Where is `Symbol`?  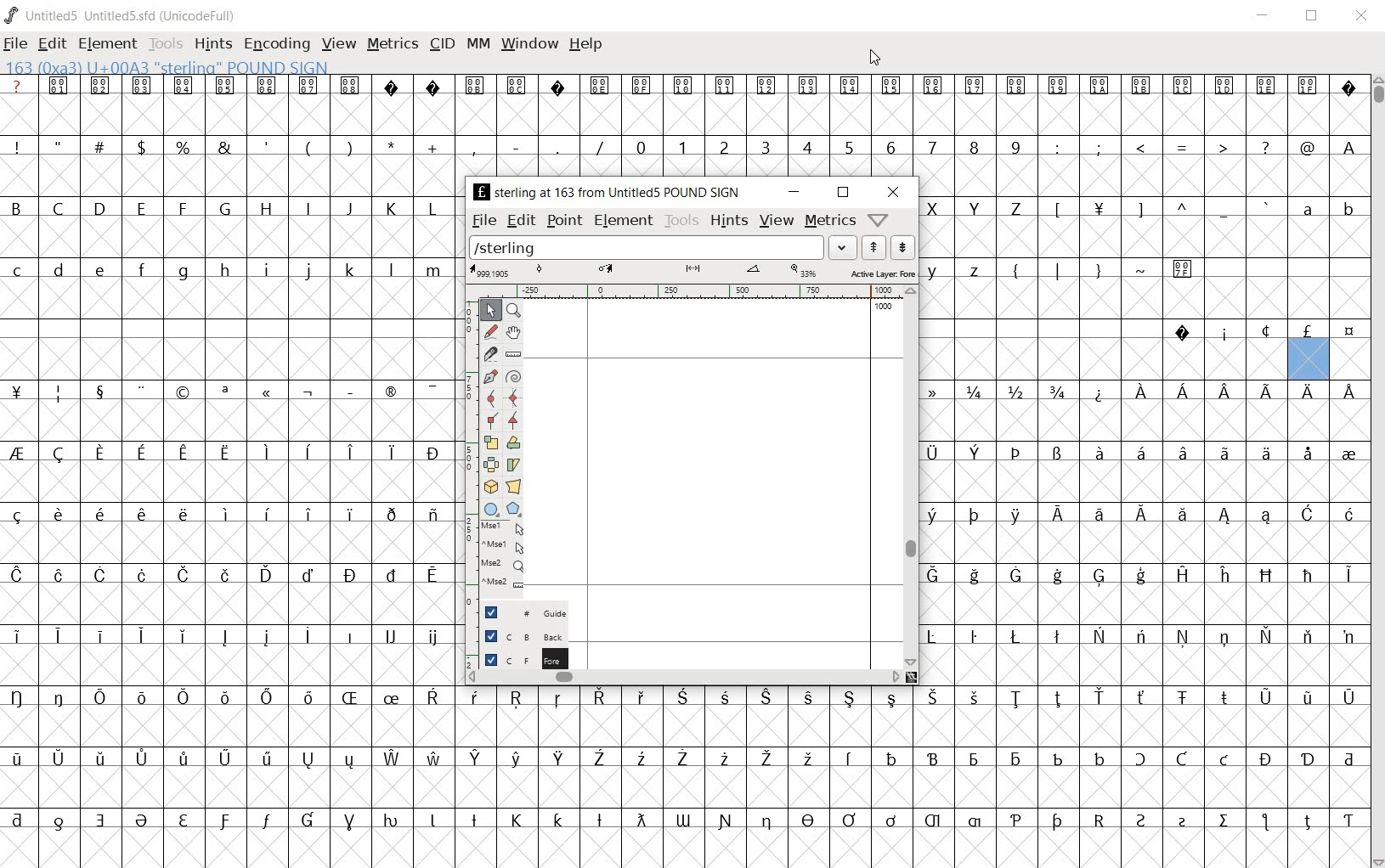
Symbol is located at coordinates (184, 454).